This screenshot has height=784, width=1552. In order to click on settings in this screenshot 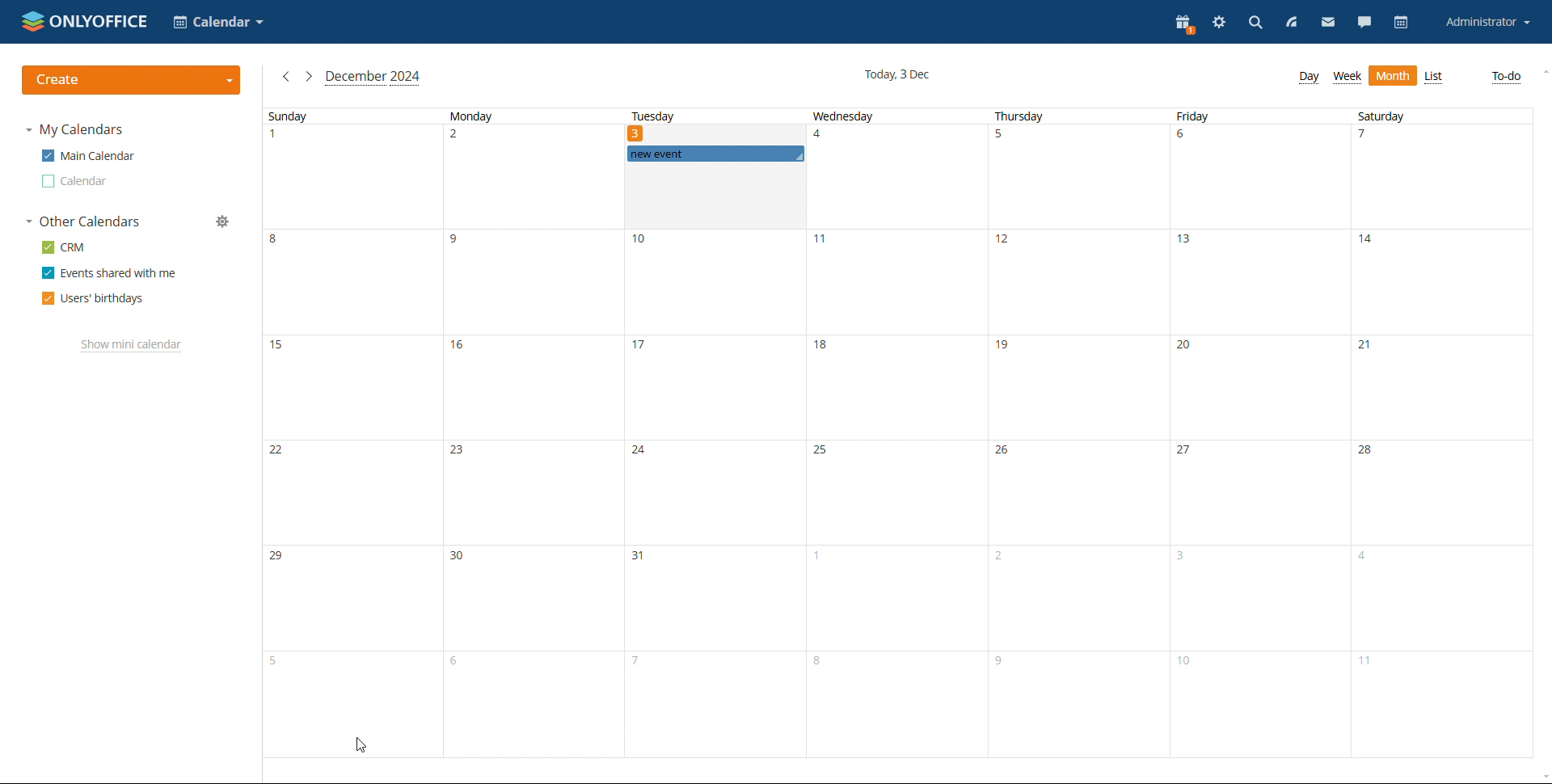, I will do `click(1219, 23)`.